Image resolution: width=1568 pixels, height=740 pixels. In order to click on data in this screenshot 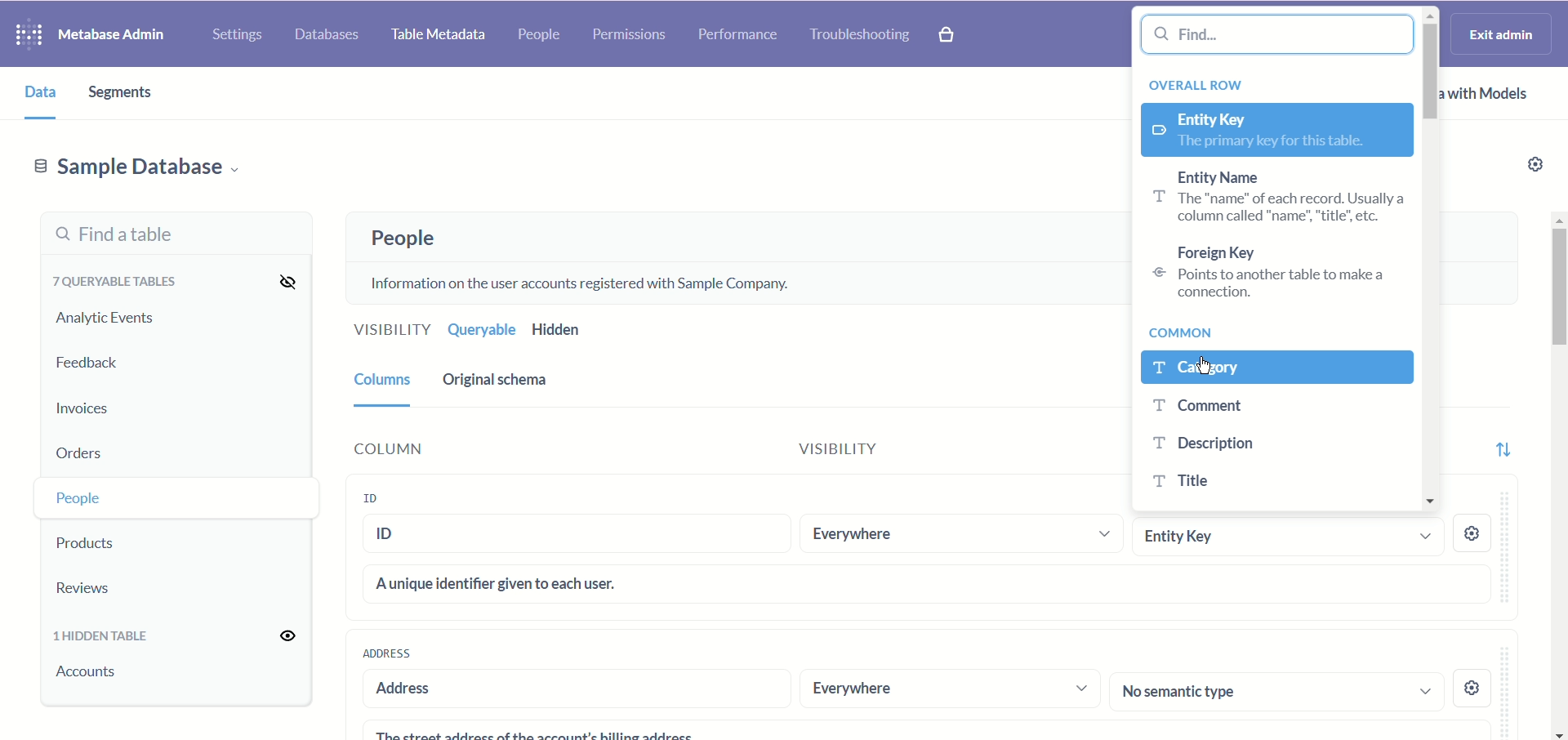, I will do `click(33, 91)`.